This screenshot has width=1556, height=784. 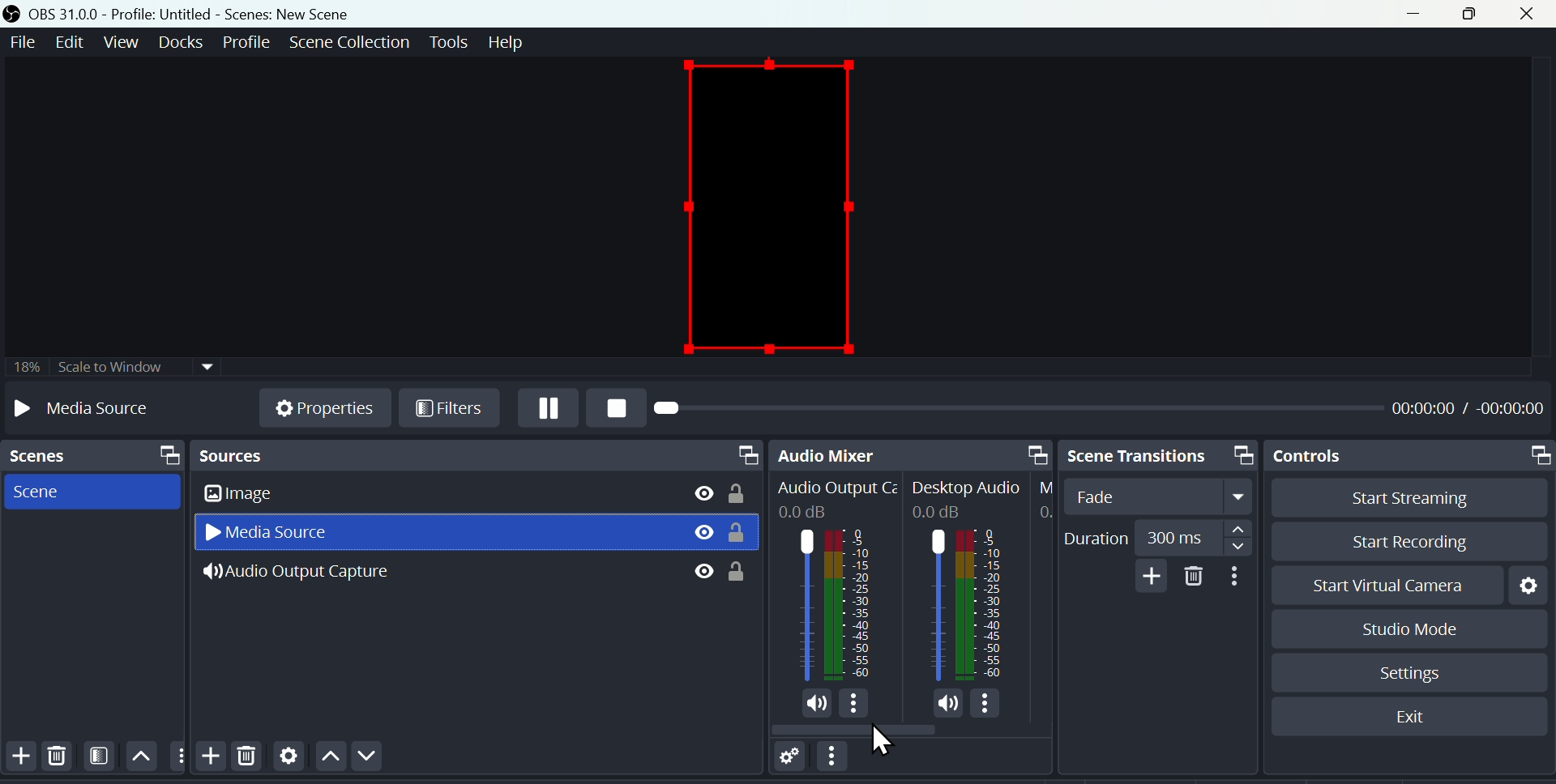 What do you see at coordinates (194, 12) in the screenshot?
I see `OBS 31.0 .0 profile: untitled scenes: new scene` at bounding box center [194, 12].